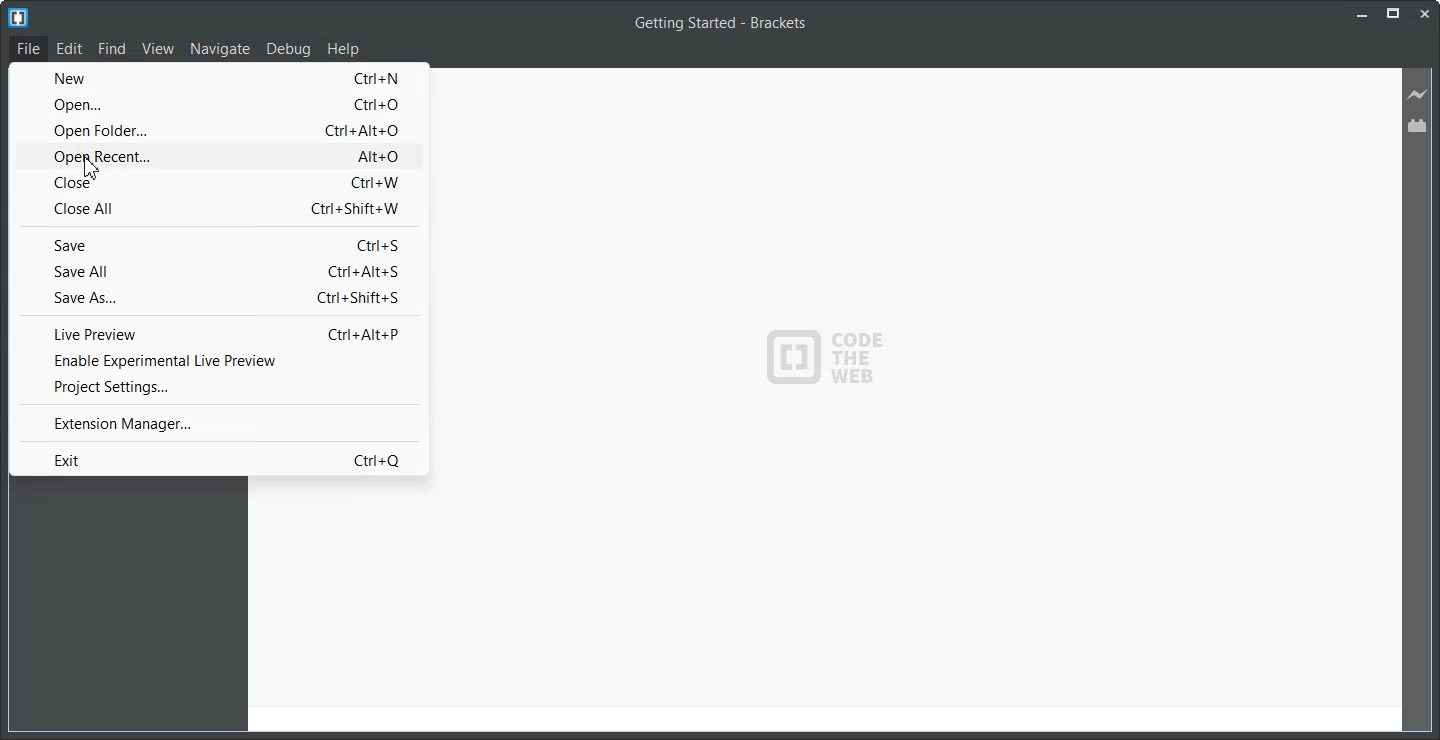  What do you see at coordinates (29, 47) in the screenshot?
I see `File` at bounding box center [29, 47].